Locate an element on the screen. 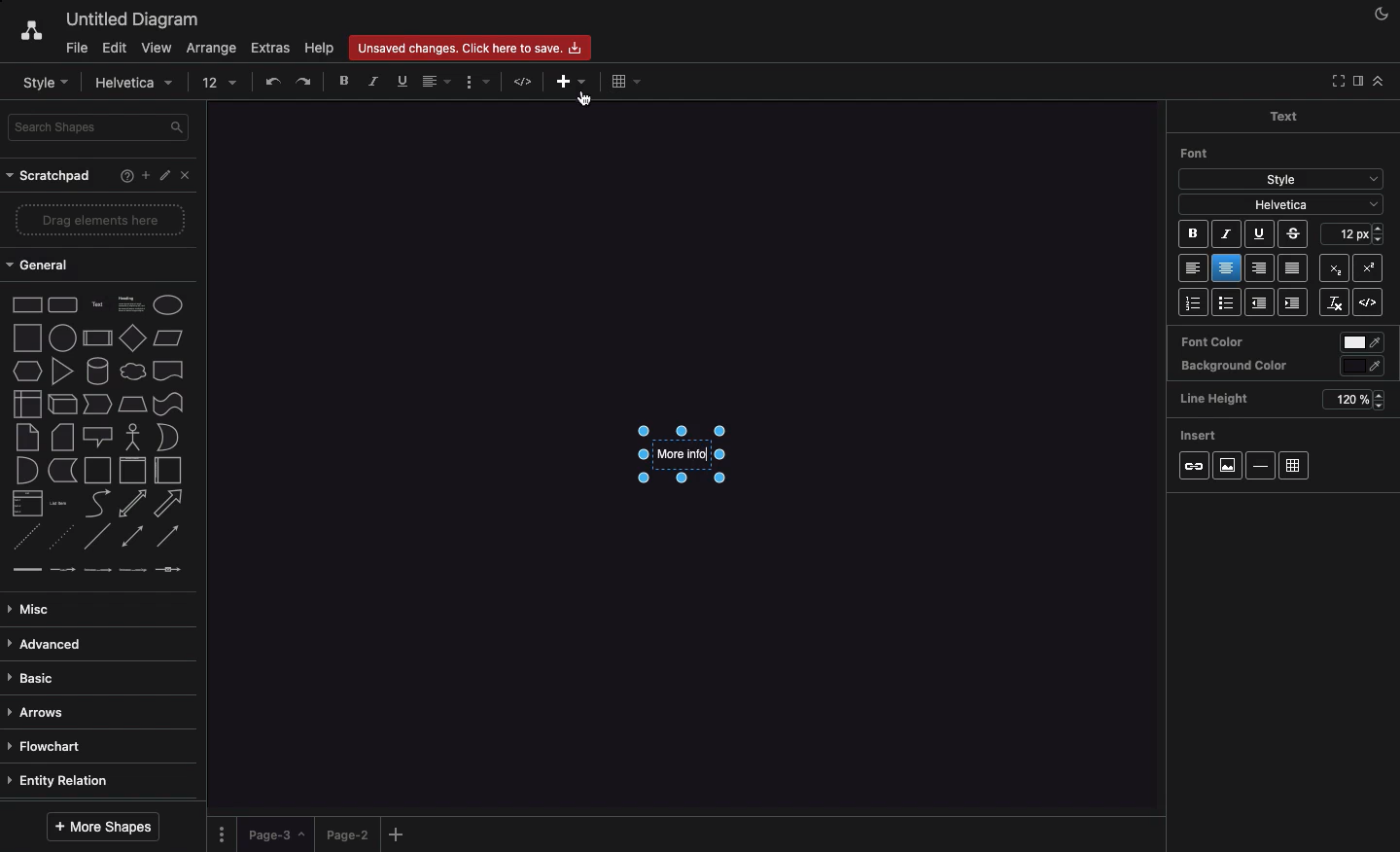 The image size is (1400, 852). Undo is located at coordinates (272, 81).